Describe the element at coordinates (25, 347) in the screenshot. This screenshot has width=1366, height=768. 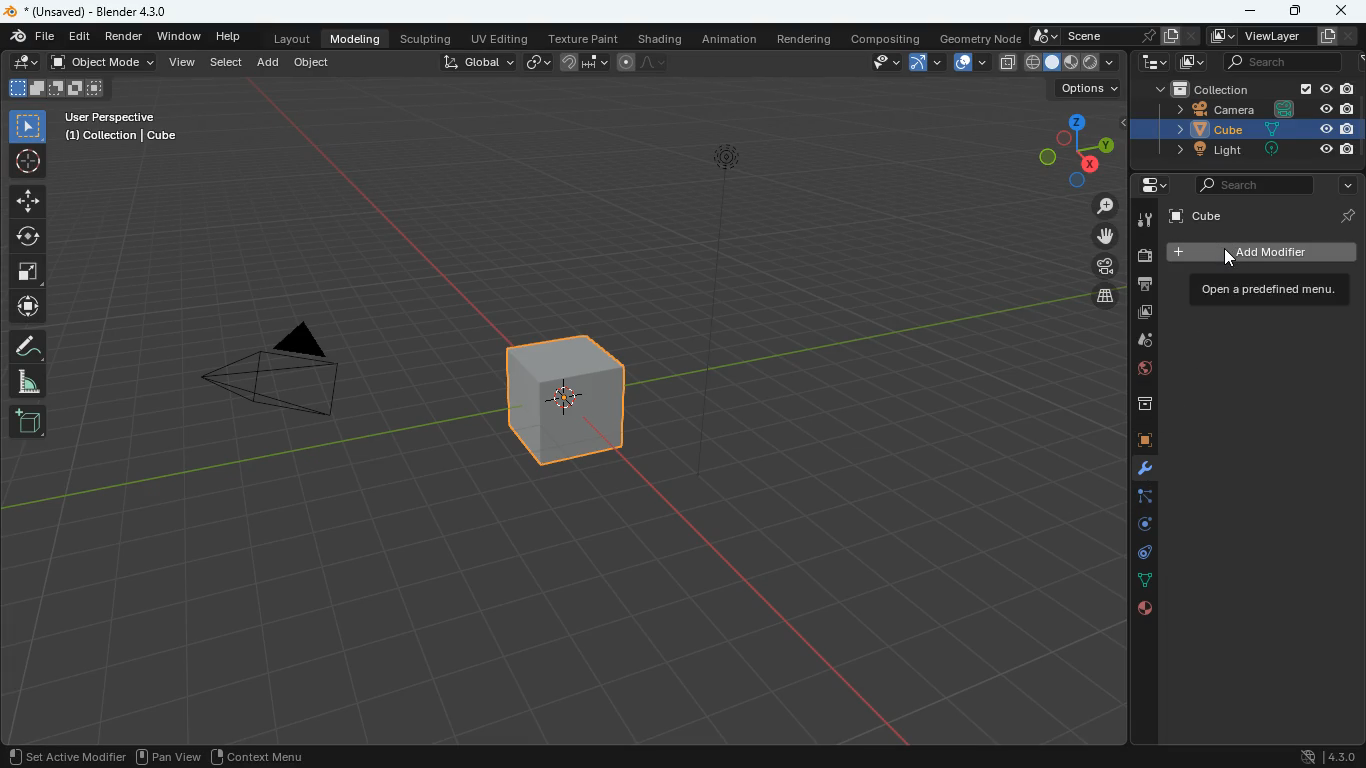
I see `draw` at that location.